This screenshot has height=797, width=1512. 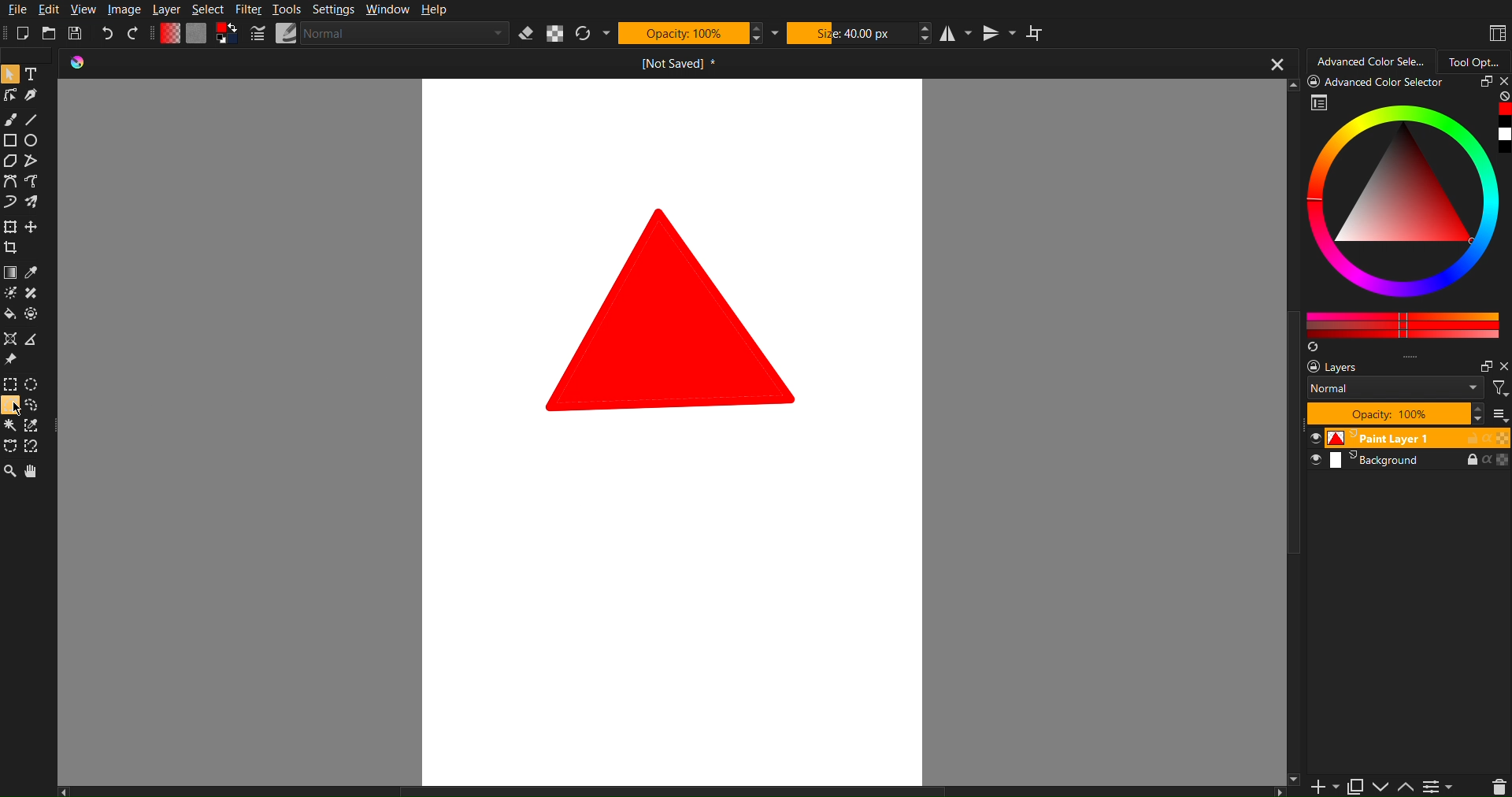 I want to click on Curve, so click(x=9, y=204).